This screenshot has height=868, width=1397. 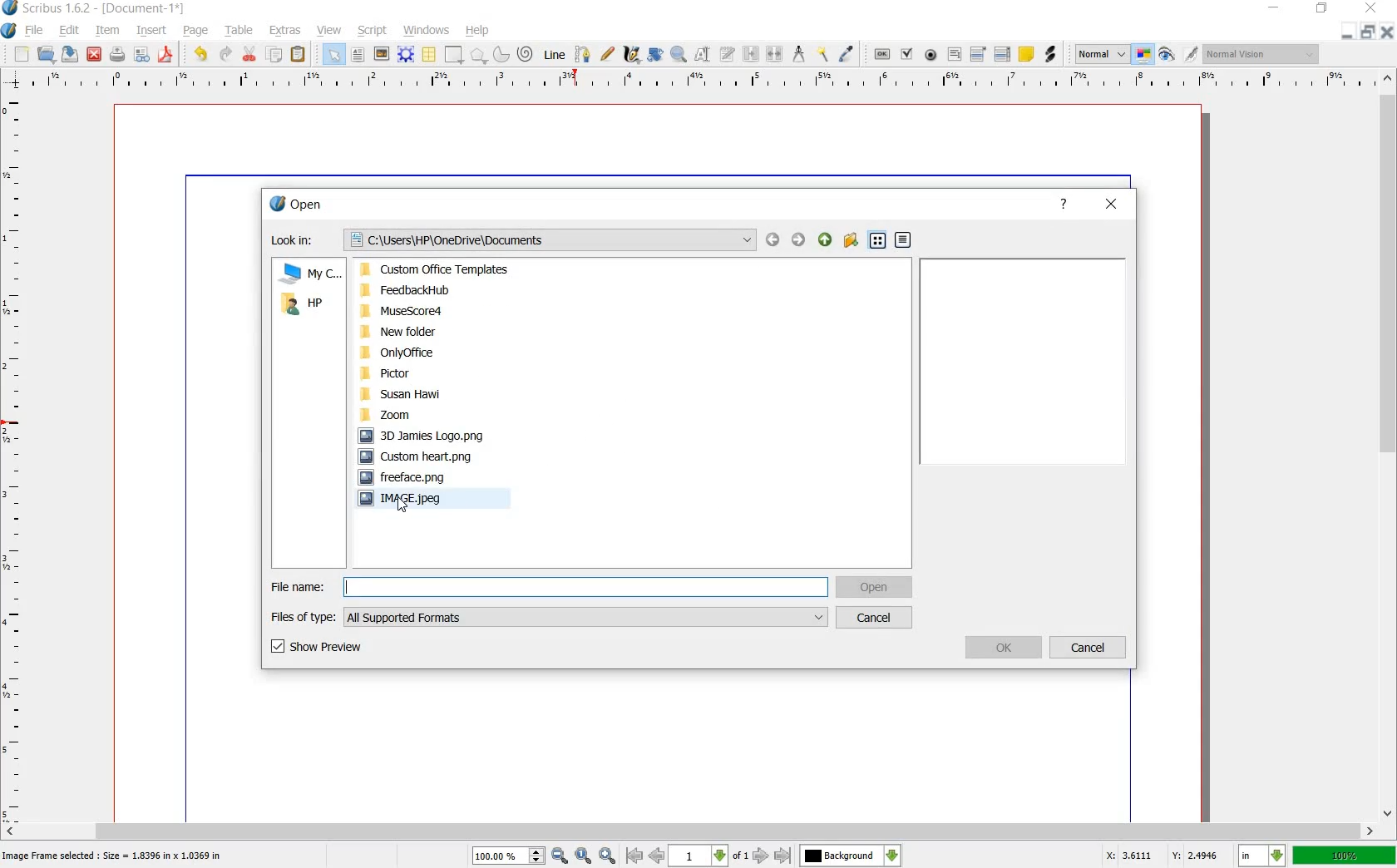 What do you see at coordinates (380, 53) in the screenshot?
I see `image` at bounding box center [380, 53].